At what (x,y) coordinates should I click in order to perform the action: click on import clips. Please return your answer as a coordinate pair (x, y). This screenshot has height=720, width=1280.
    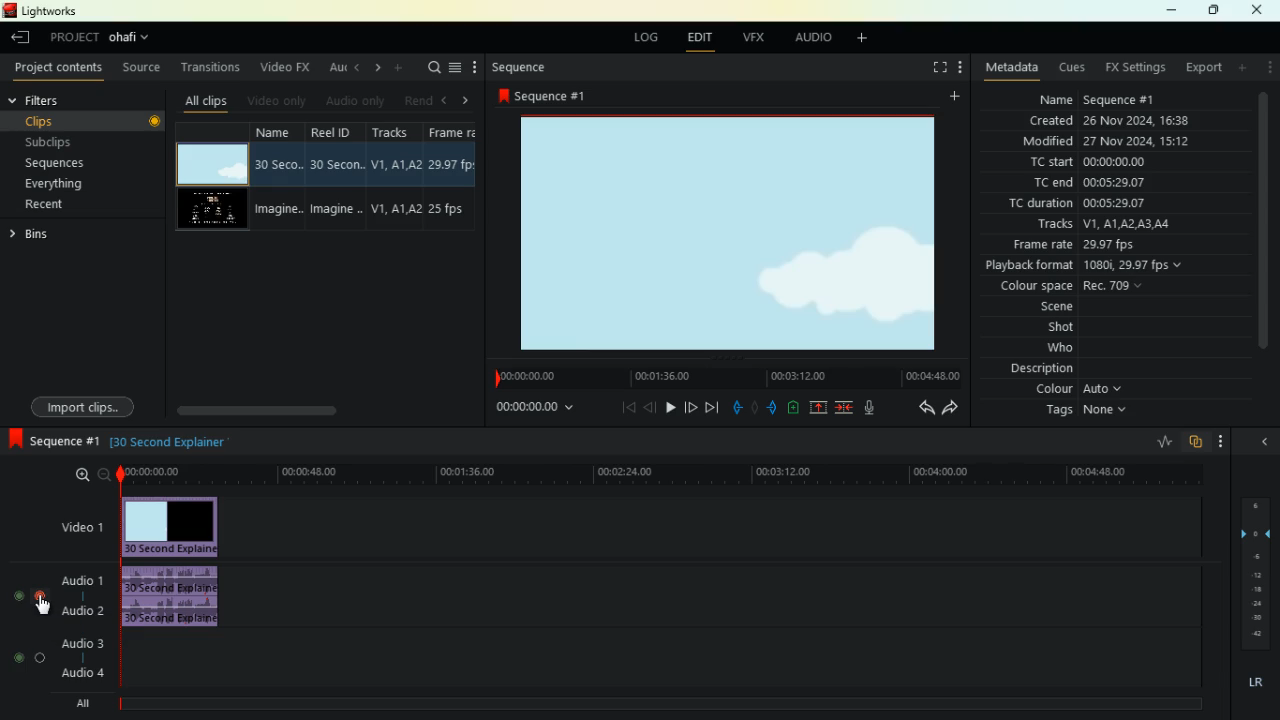
    Looking at the image, I should click on (81, 405).